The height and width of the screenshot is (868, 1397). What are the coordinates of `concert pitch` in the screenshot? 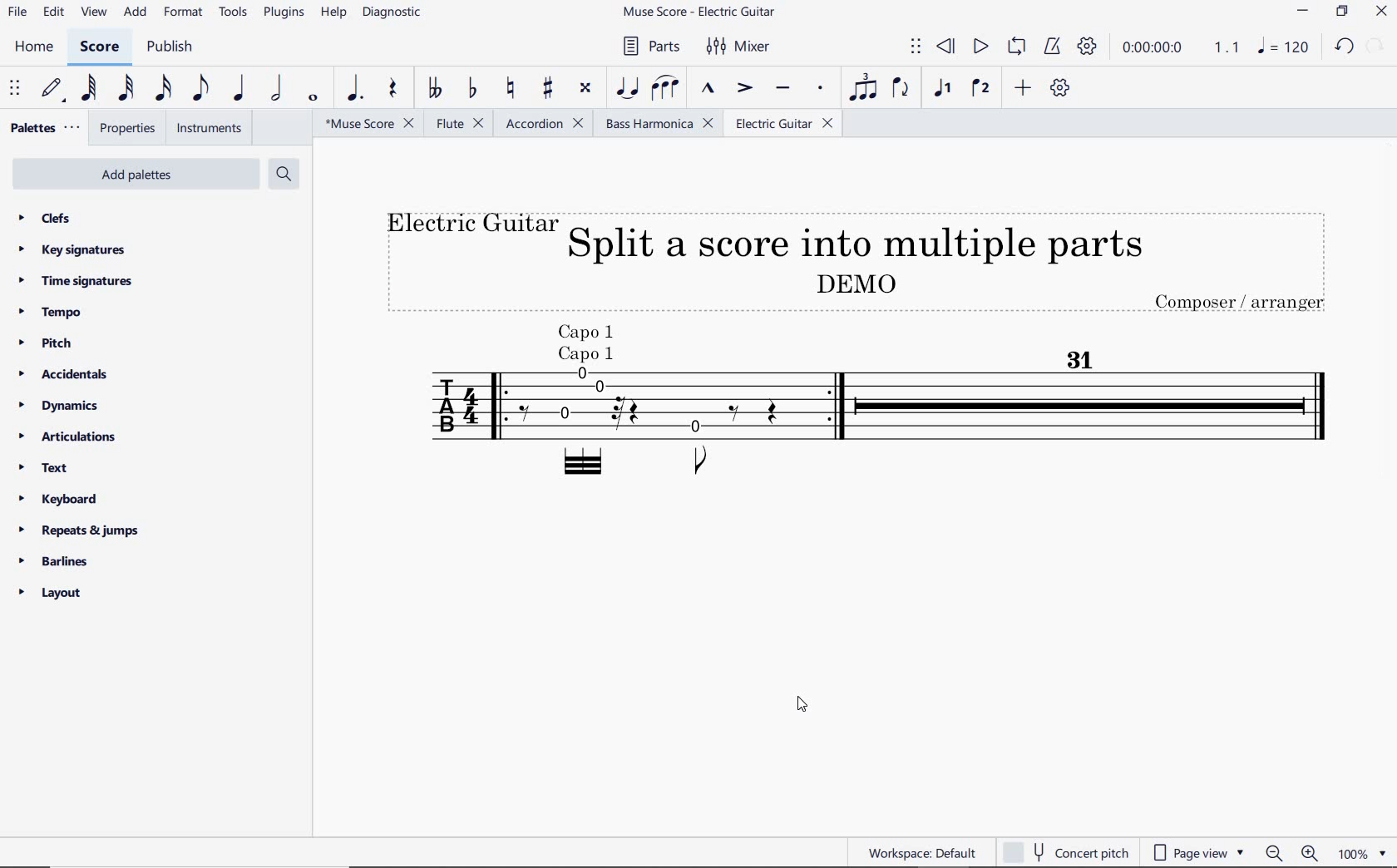 It's located at (1064, 852).